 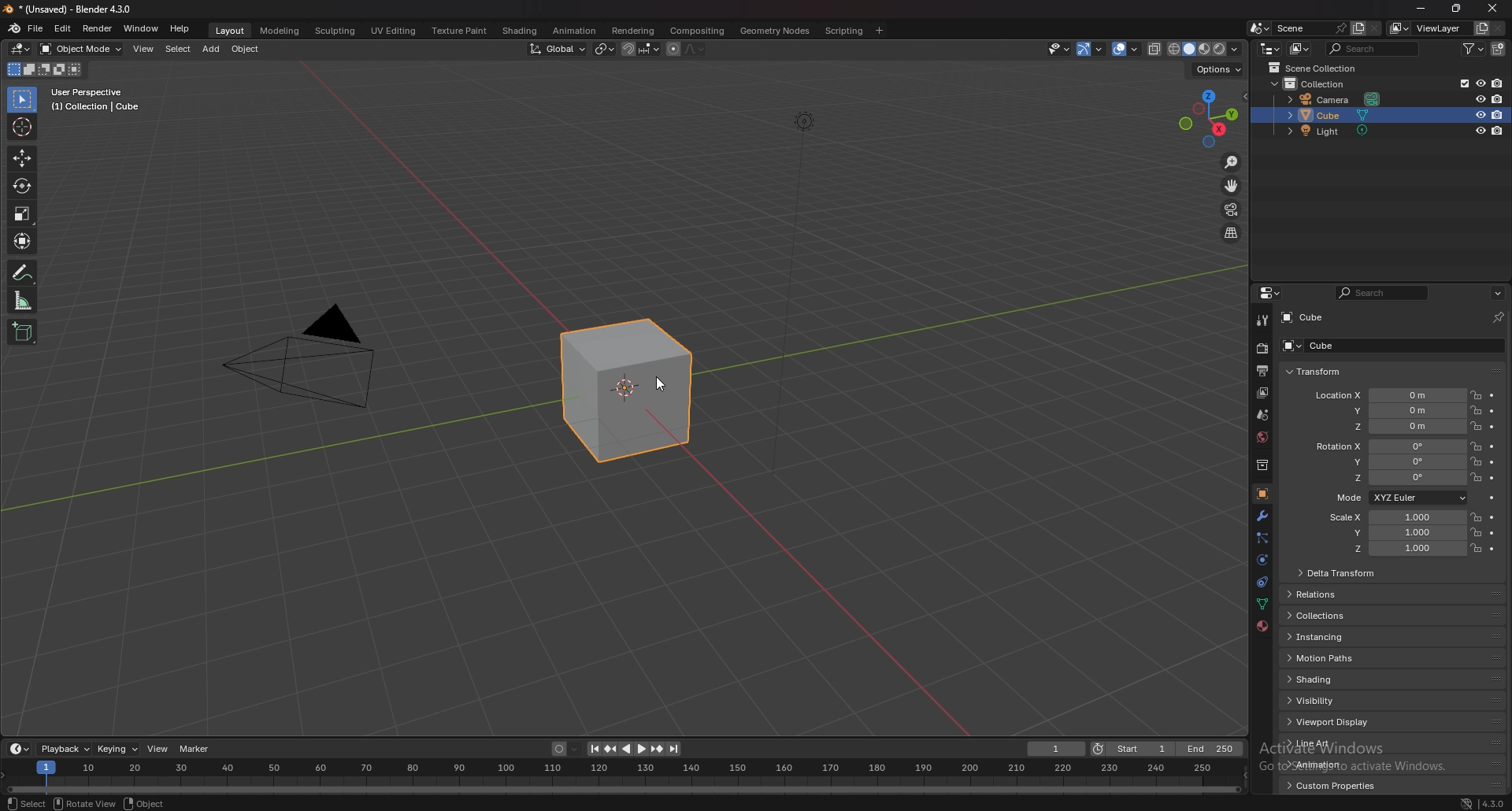 I want to click on editor type, so click(x=1271, y=48).